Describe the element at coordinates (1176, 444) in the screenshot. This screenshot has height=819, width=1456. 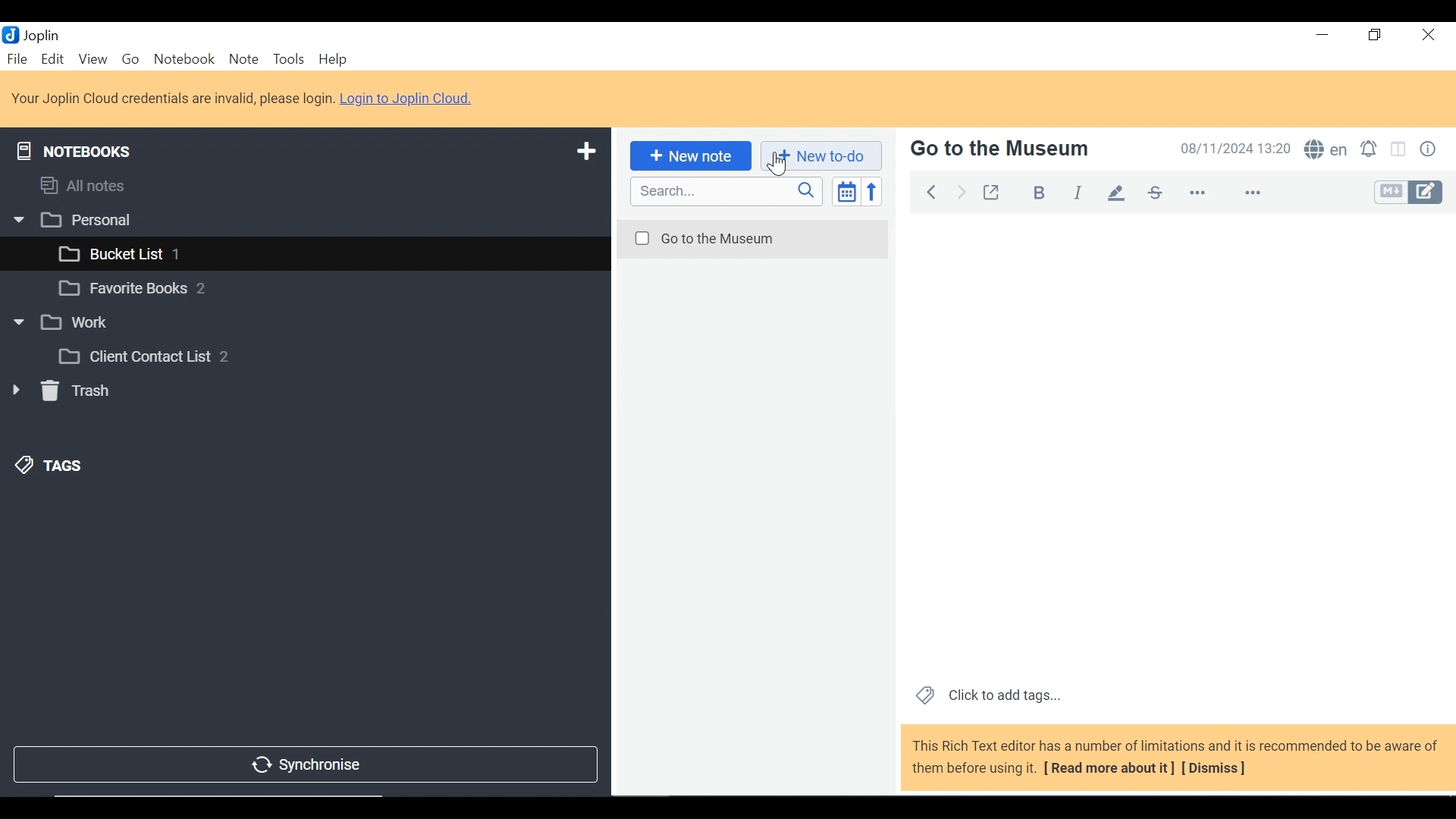
I see `Note View` at that location.